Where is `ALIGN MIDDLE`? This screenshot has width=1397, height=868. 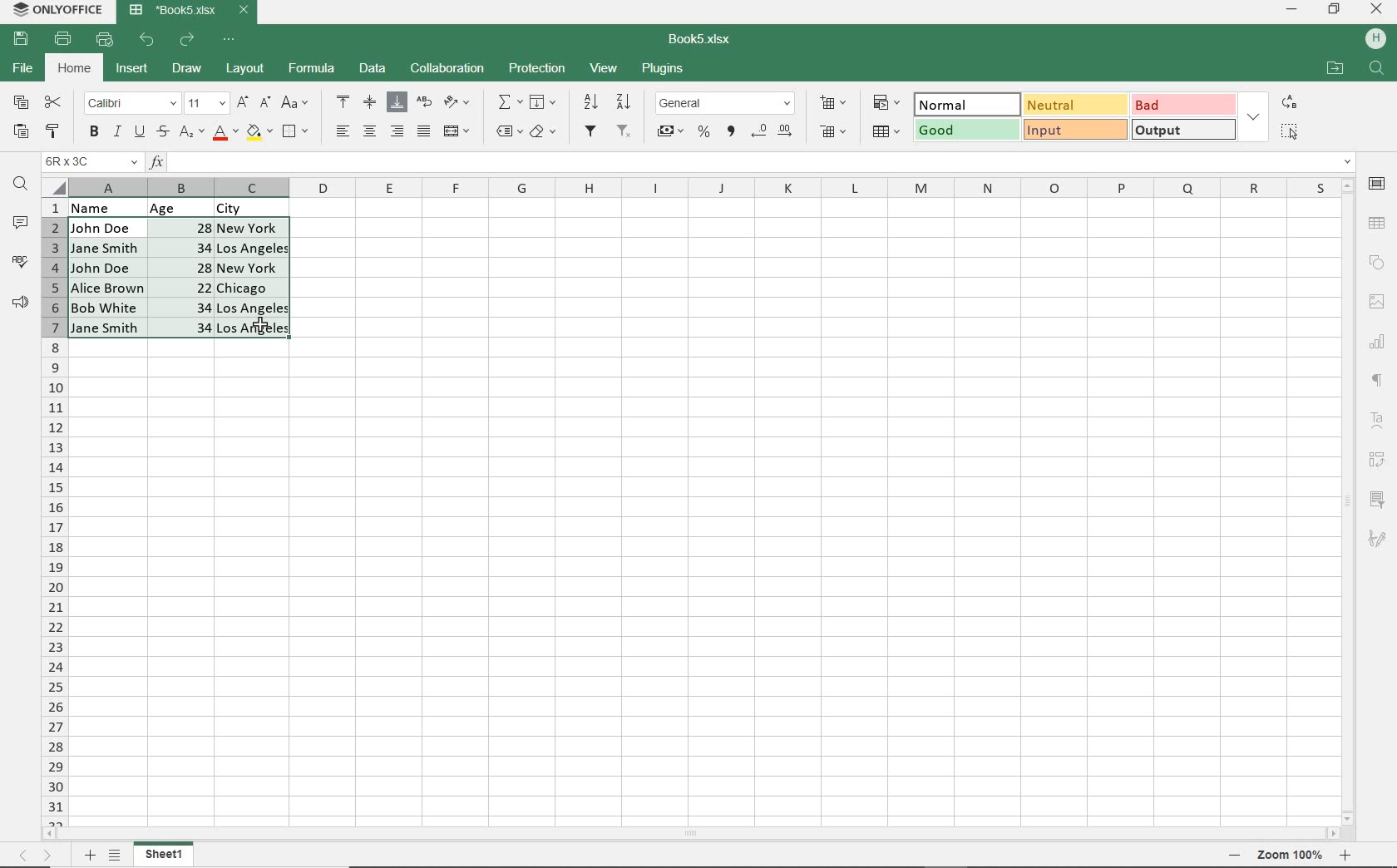 ALIGN MIDDLE is located at coordinates (369, 101).